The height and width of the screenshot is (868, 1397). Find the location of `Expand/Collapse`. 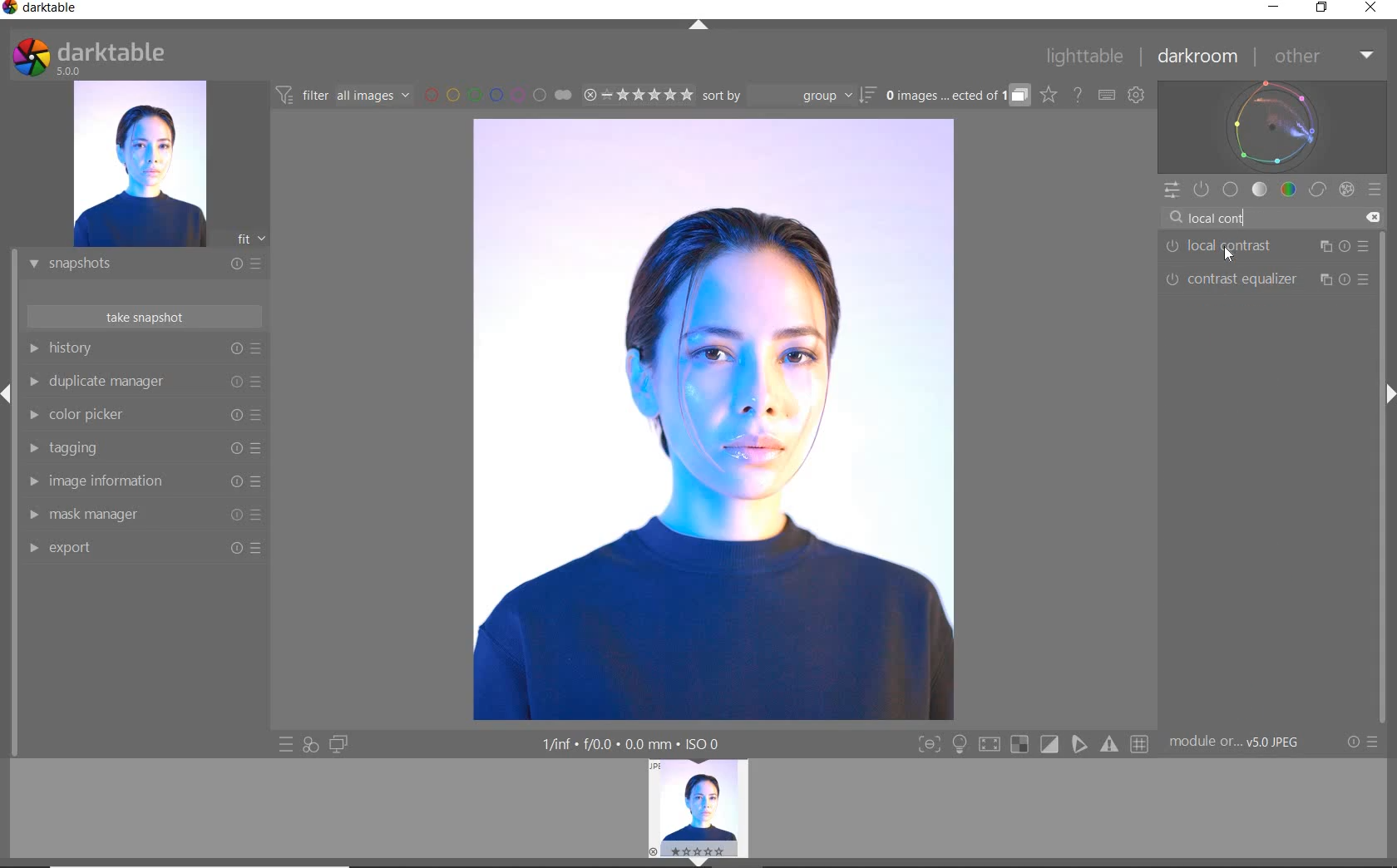

Expand/Collapse is located at coordinates (1388, 392).